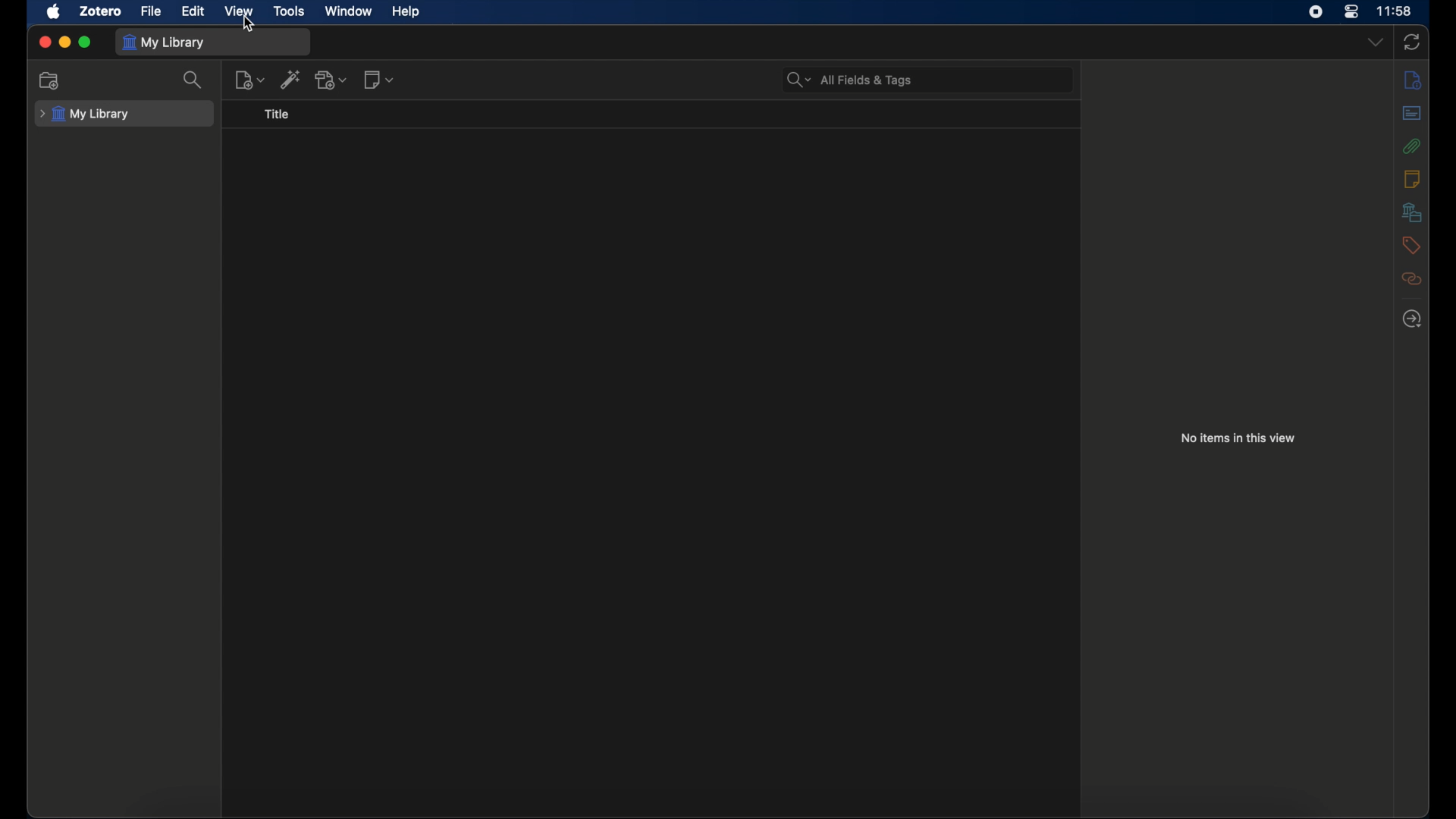 The width and height of the screenshot is (1456, 819). Describe the element at coordinates (1412, 279) in the screenshot. I see `related` at that location.